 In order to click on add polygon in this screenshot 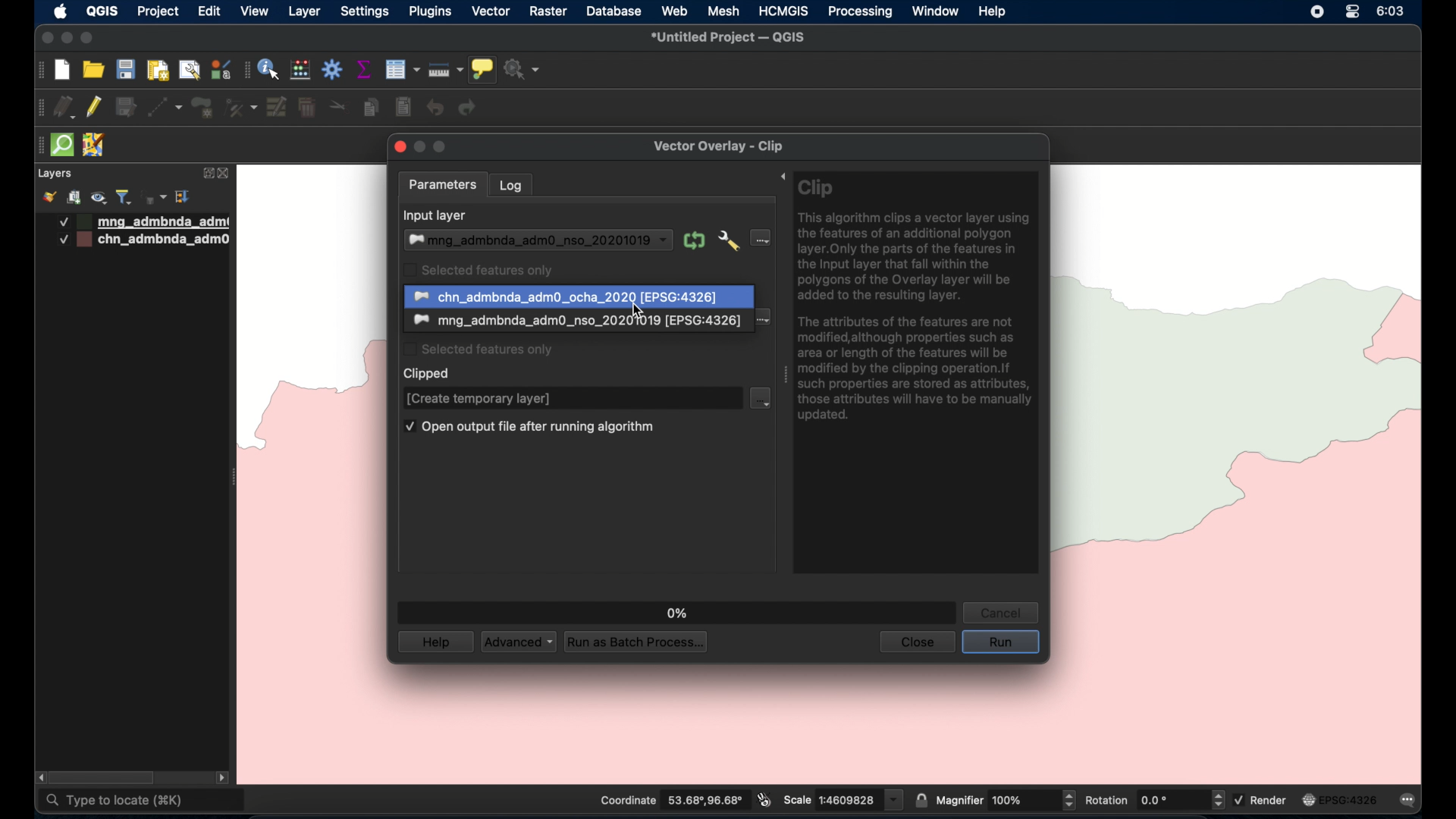, I will do `click(204, 108)`.